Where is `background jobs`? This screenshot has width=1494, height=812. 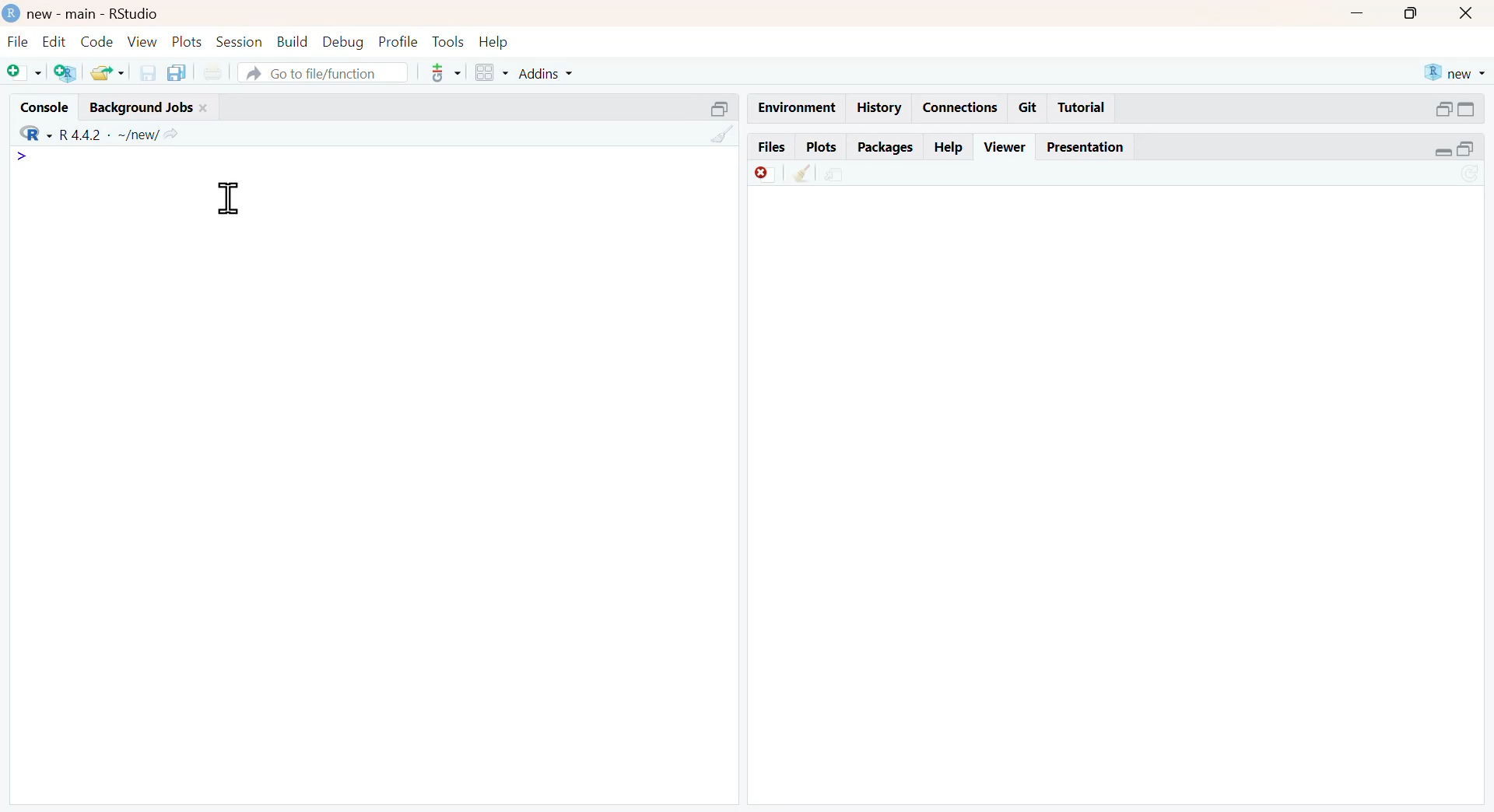
background jobs is located at coordinates (142, 108).